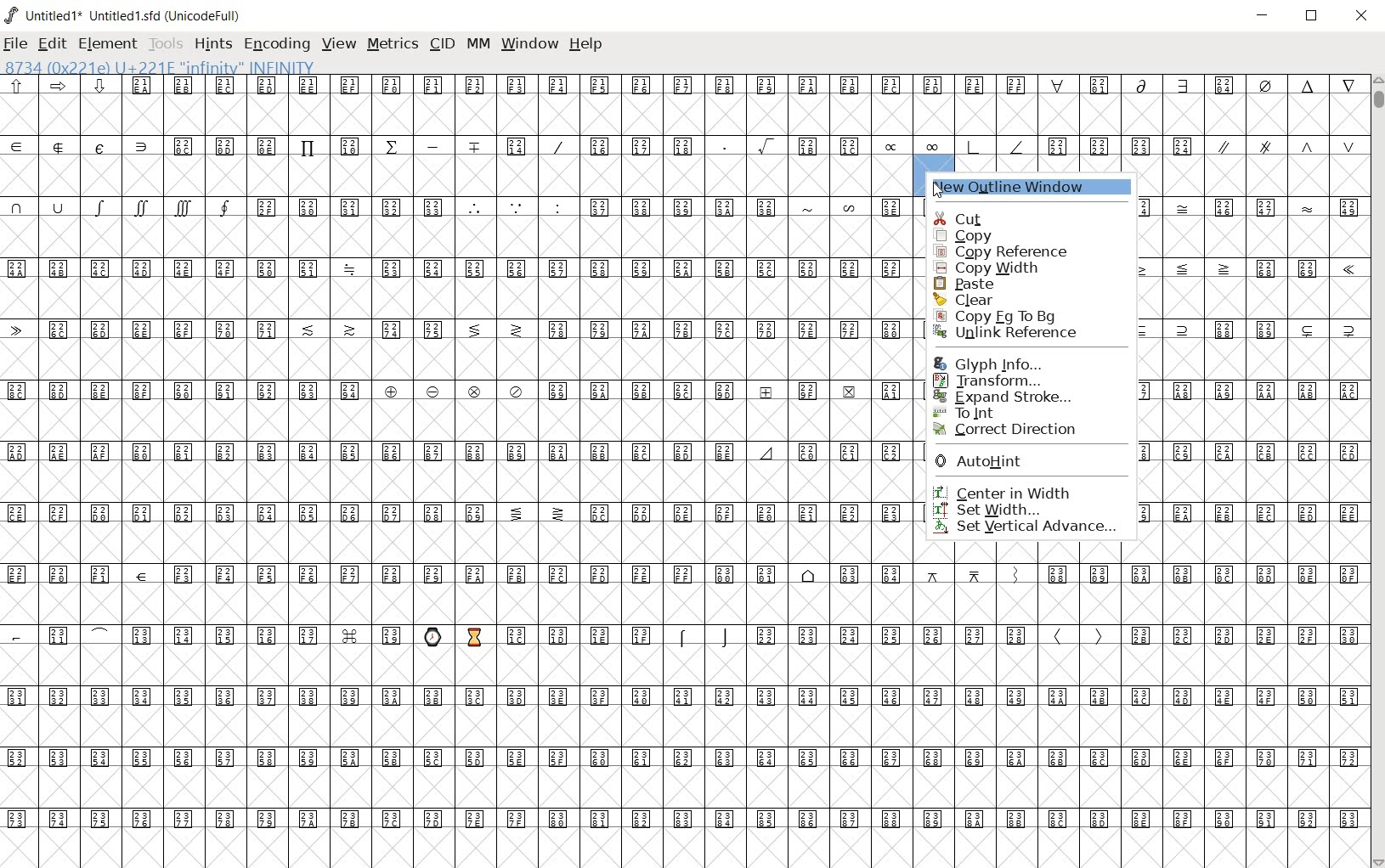 Image resolution: width=1385 pixels, height=868 pixels. I want to click on clear, so click(991, 298).